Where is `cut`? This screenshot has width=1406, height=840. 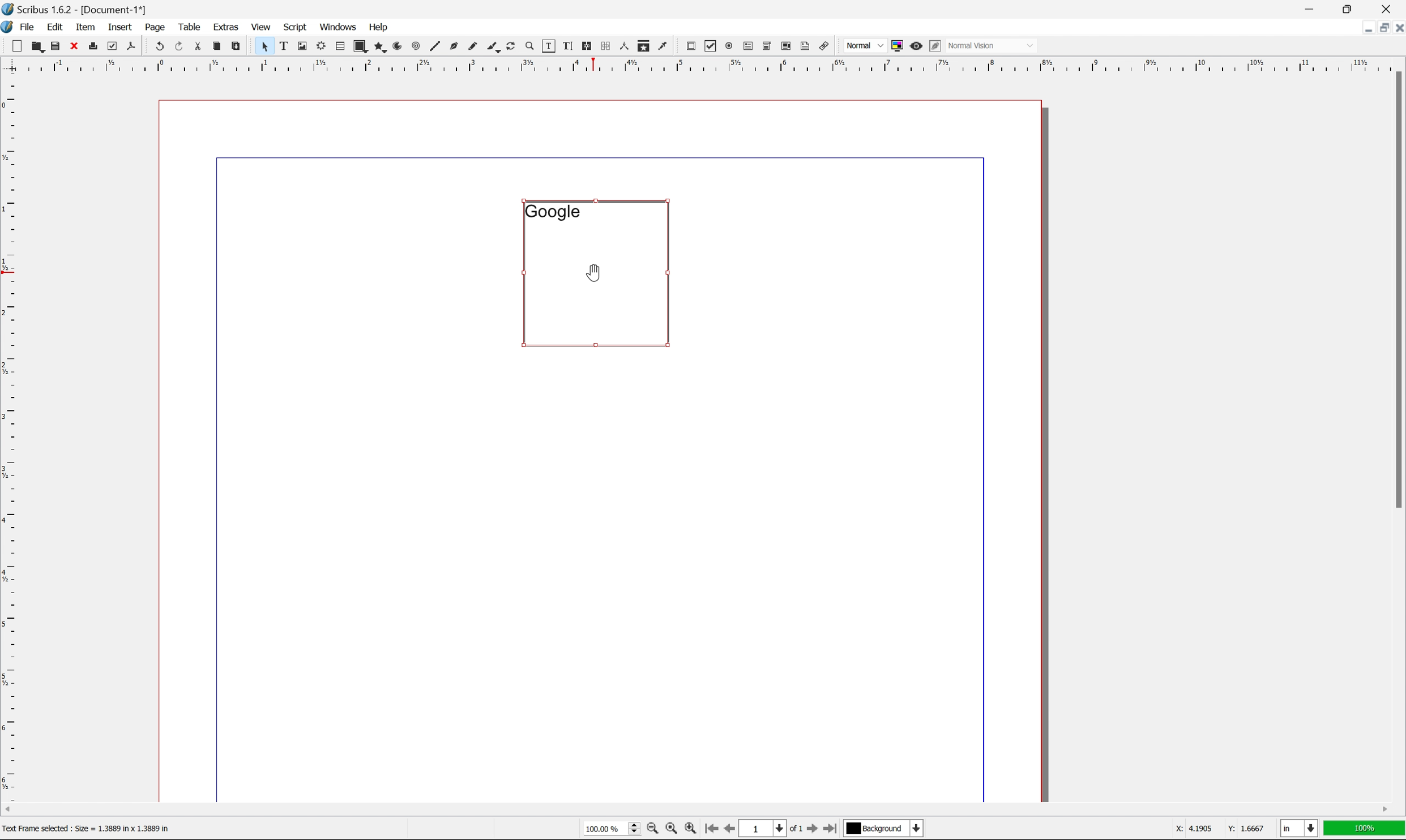
cut is located at coordinates (198, 46).